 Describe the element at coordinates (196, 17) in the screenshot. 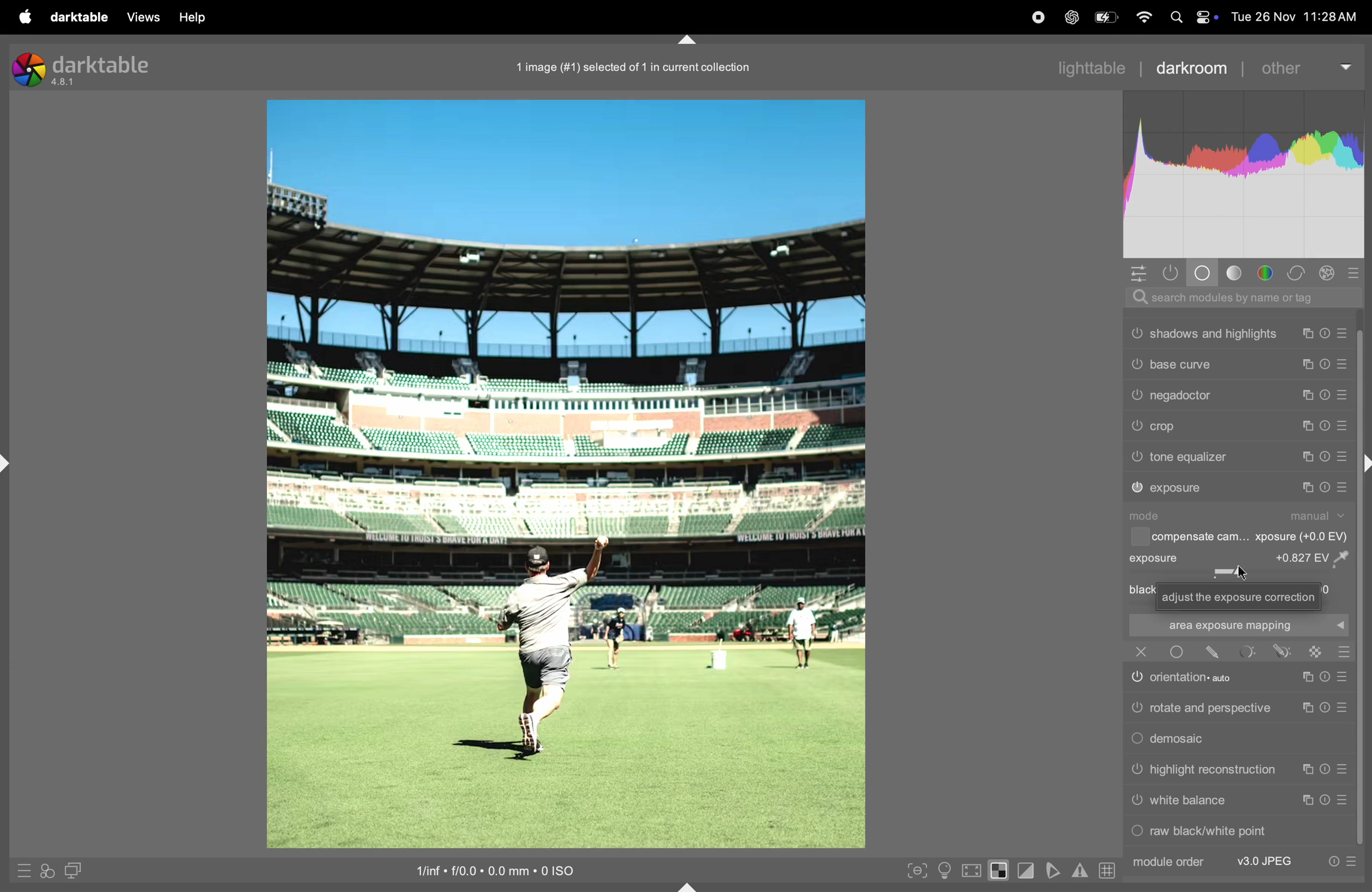

I see `help` at that location.